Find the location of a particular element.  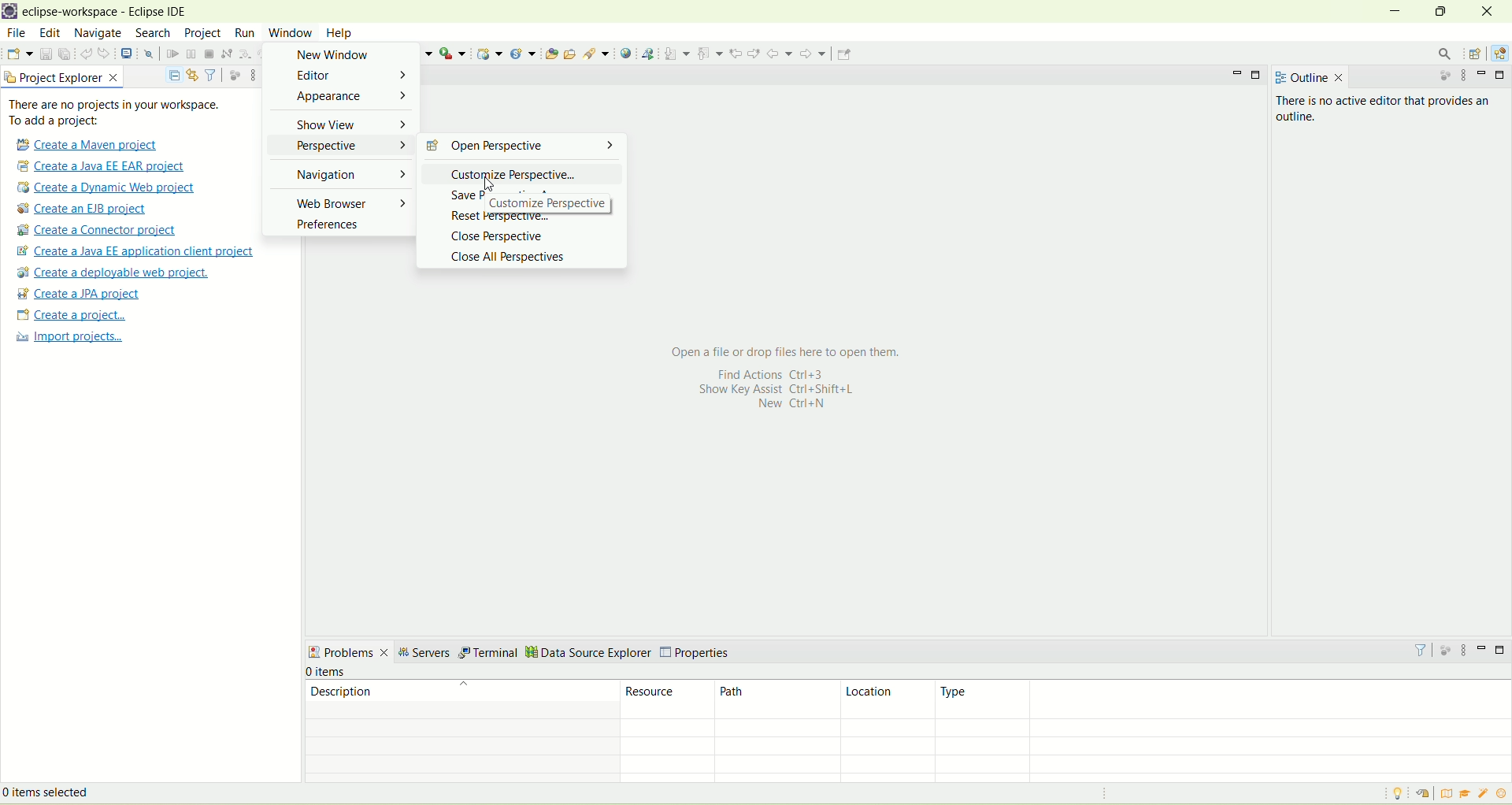

eclipse workspace-Eclipse IDE is located at coordinates (110, 13).